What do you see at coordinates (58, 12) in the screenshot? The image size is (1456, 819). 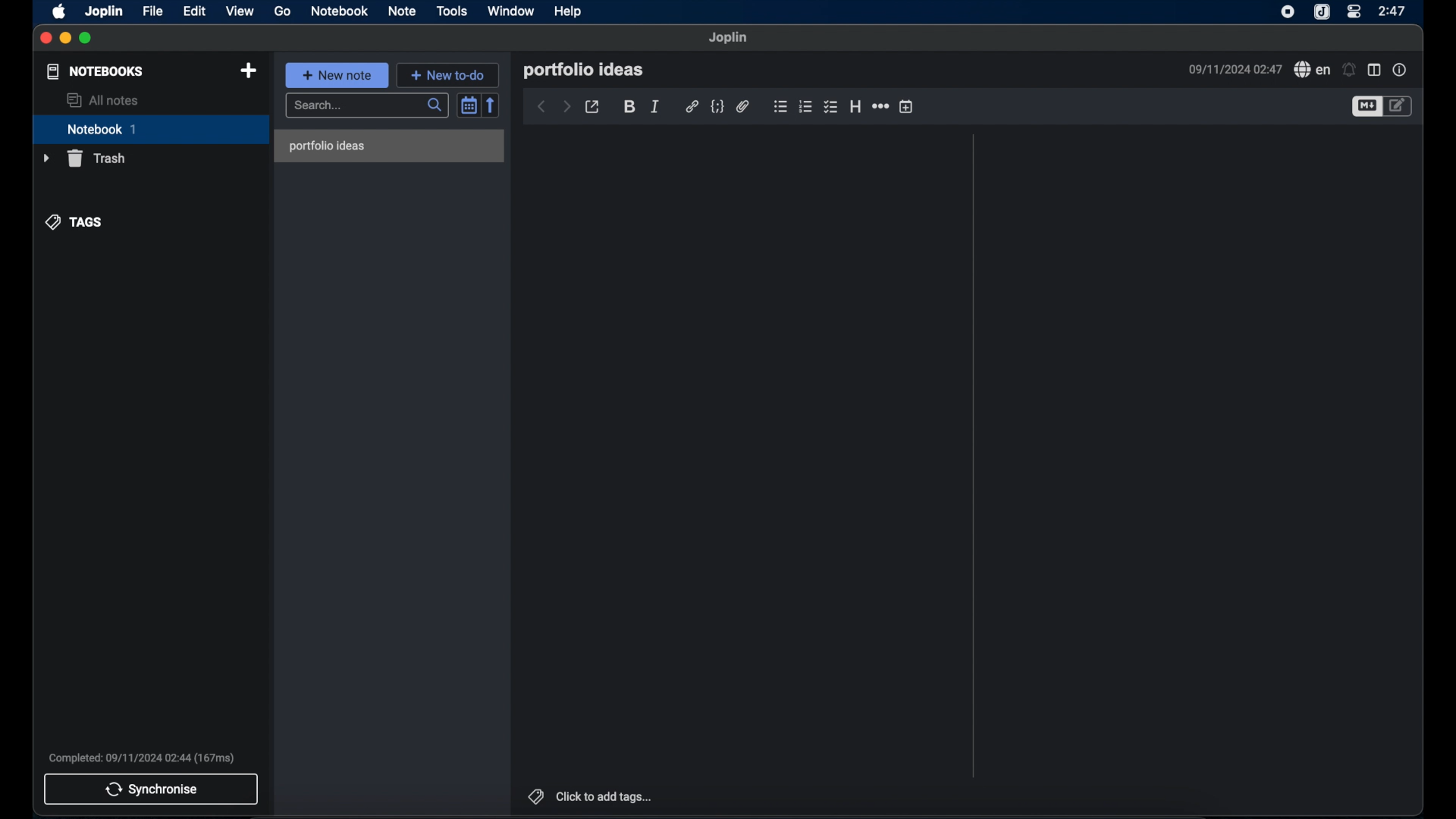 I see `appleicon` at bounding box center [58, 12].